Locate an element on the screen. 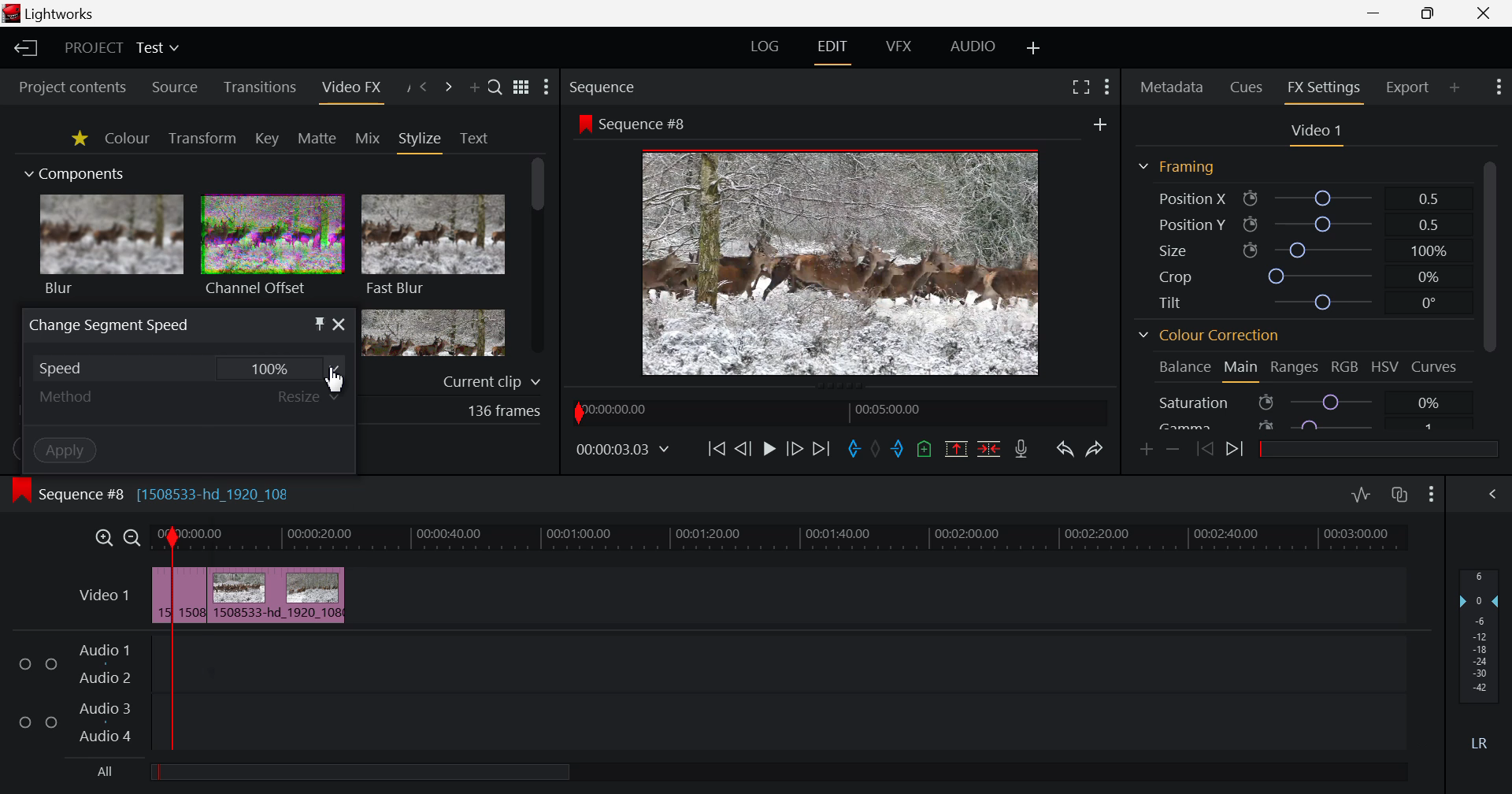 The width and height of the screenshot is (1512, 794). Minimize is located at coordinates (1429, 14).